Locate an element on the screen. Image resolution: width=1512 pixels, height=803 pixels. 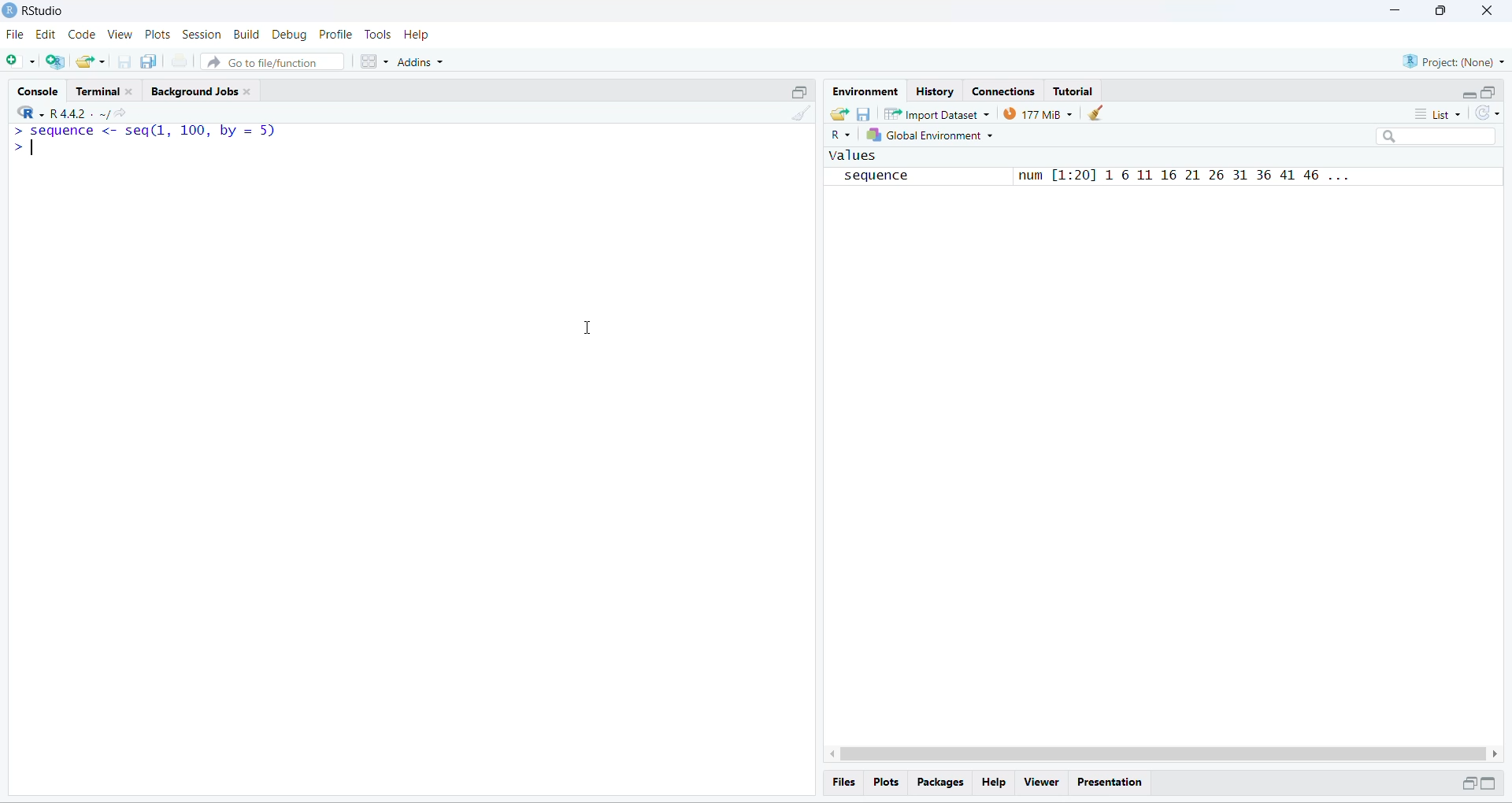
background jobs is located at coordinates (194, 92).